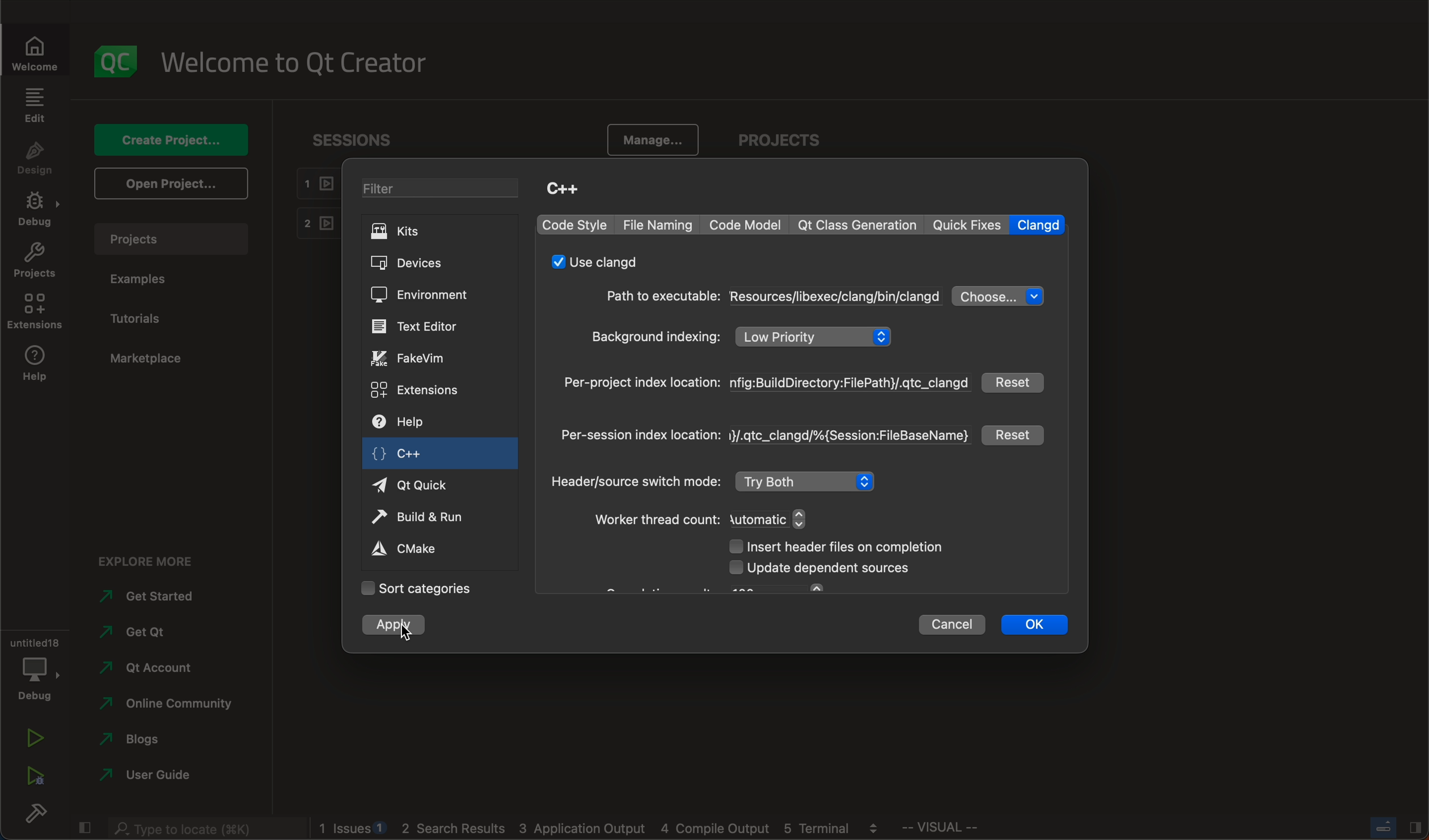  What do you see at coordinates (173, 141) in the screenshot?
I see `create ` at bounding box center [173, 141].